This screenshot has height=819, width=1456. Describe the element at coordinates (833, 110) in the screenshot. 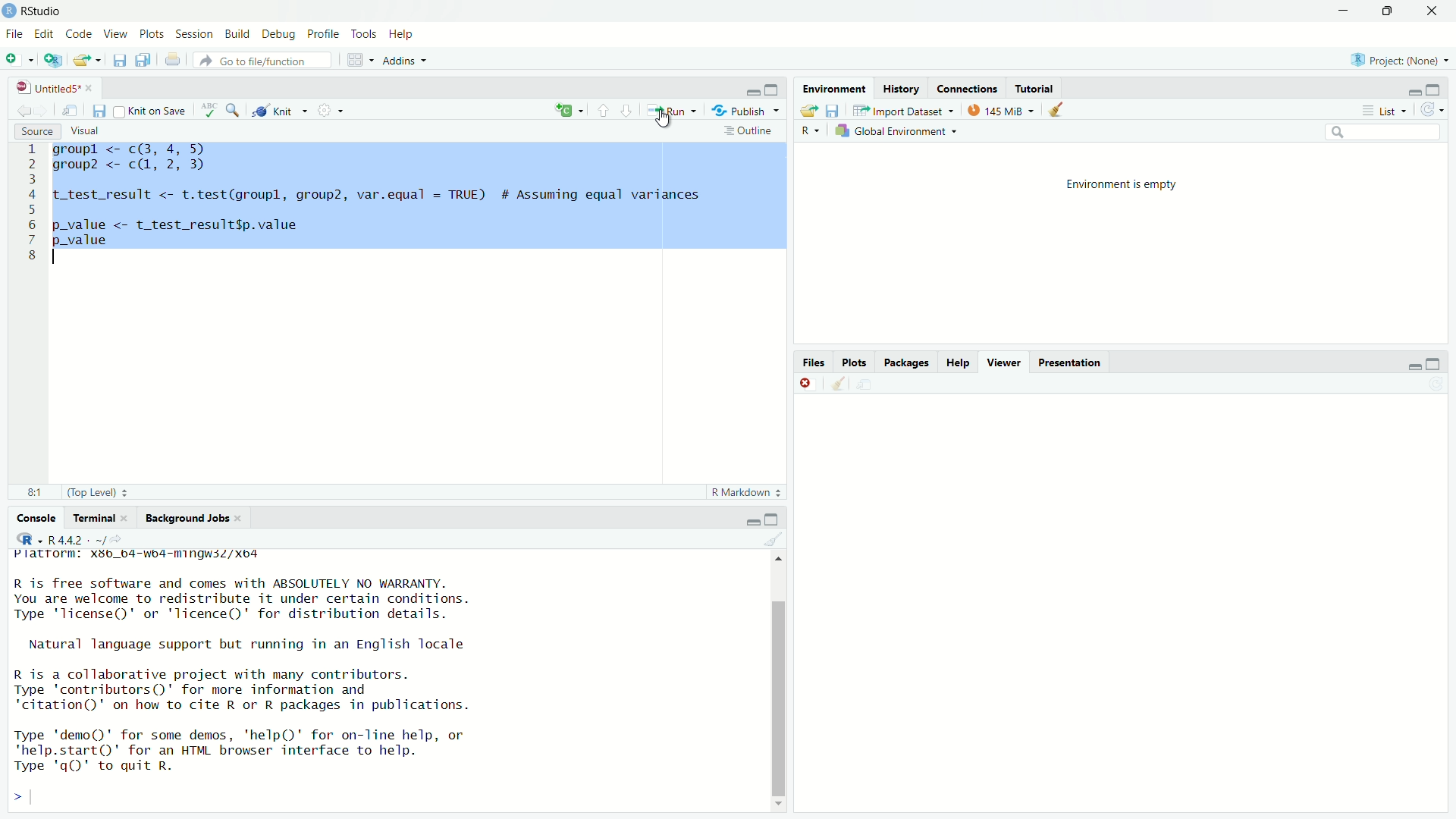

I see `save workspace as` at that location.